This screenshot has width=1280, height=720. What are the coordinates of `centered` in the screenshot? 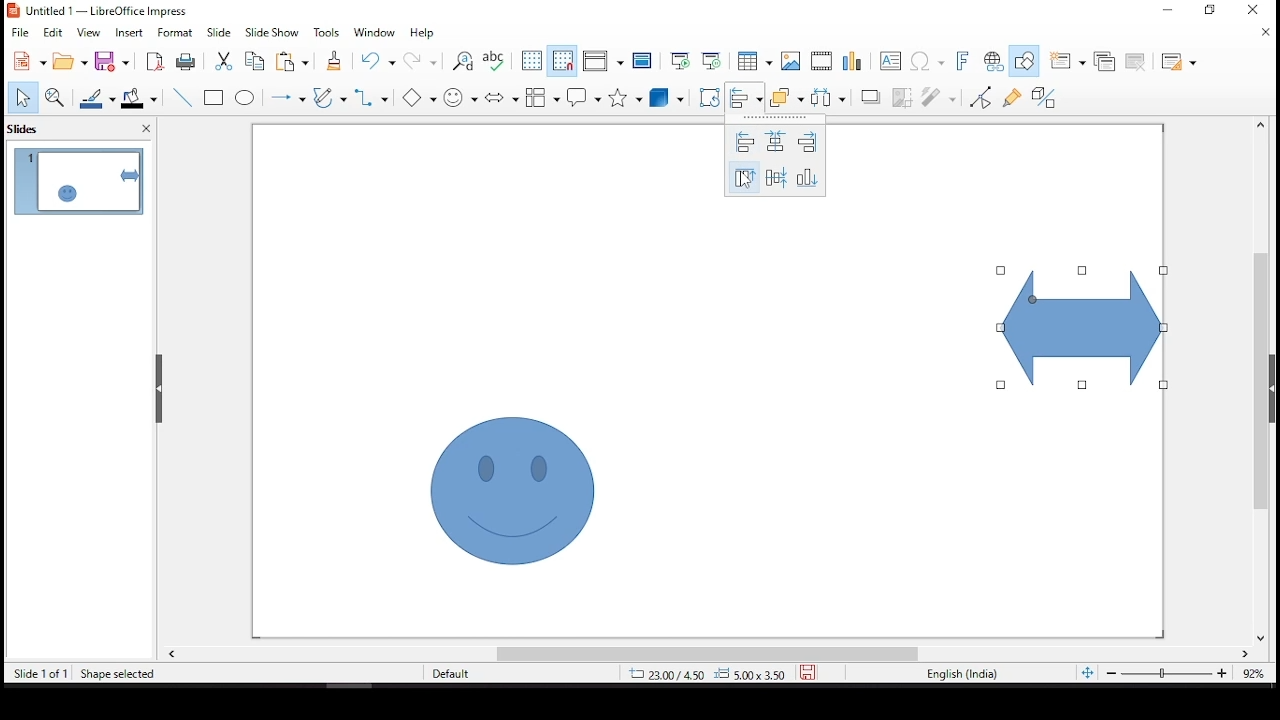 It's located at (776, 141).